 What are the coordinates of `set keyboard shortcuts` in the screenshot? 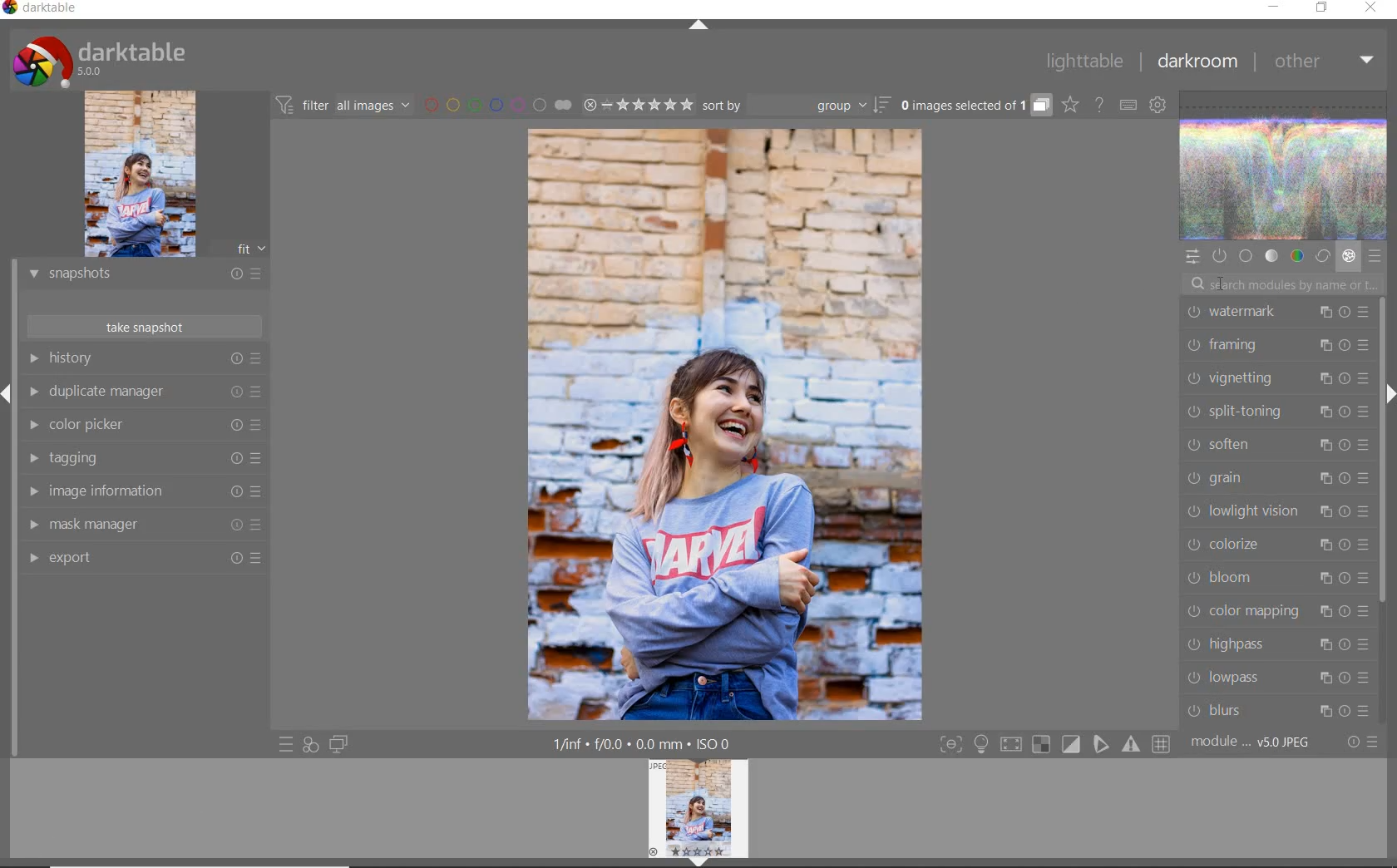 It's located at (1127, 104).